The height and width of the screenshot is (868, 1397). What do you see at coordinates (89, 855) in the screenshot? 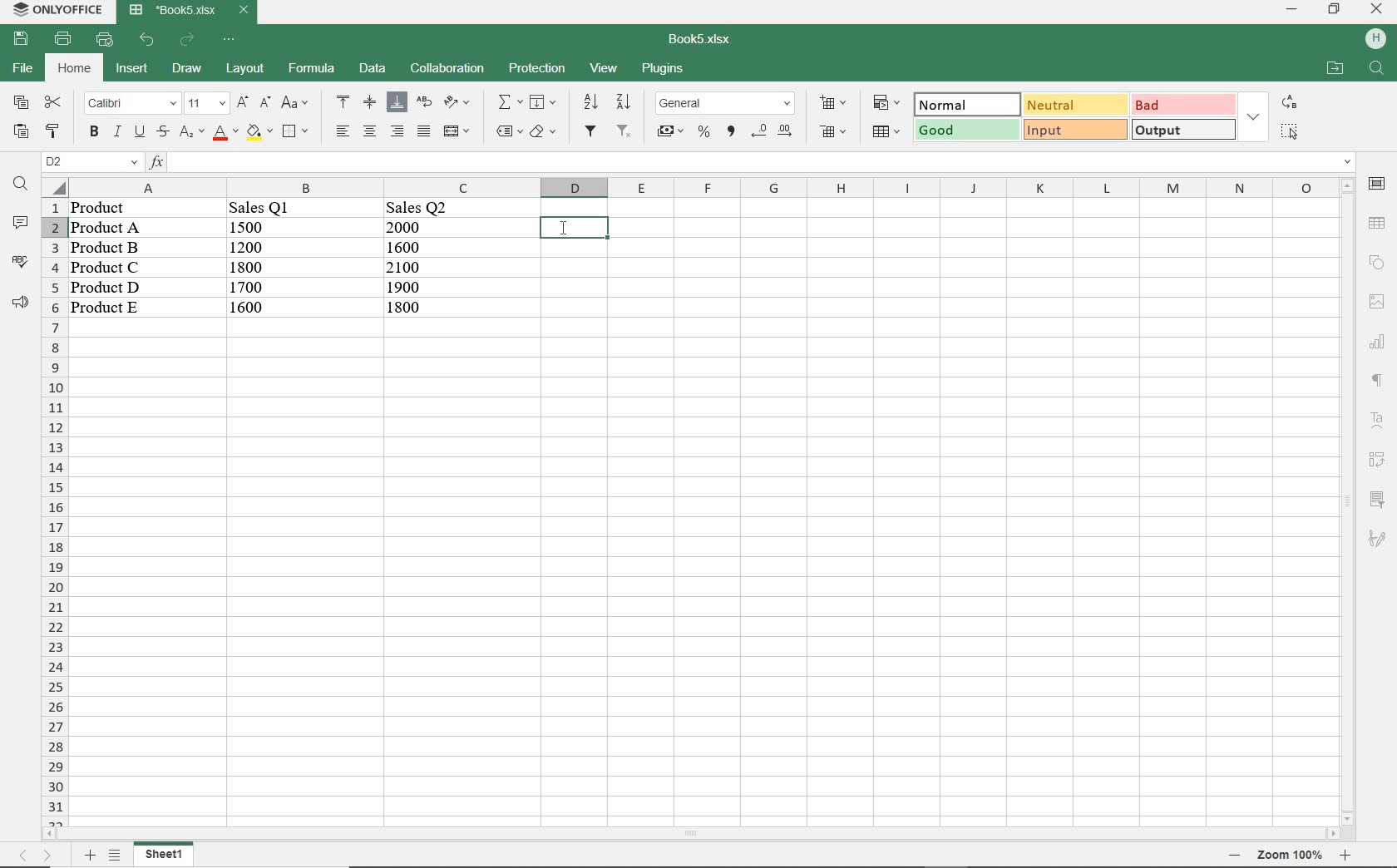
I see `add sheet` at bounding box center [89, 855].